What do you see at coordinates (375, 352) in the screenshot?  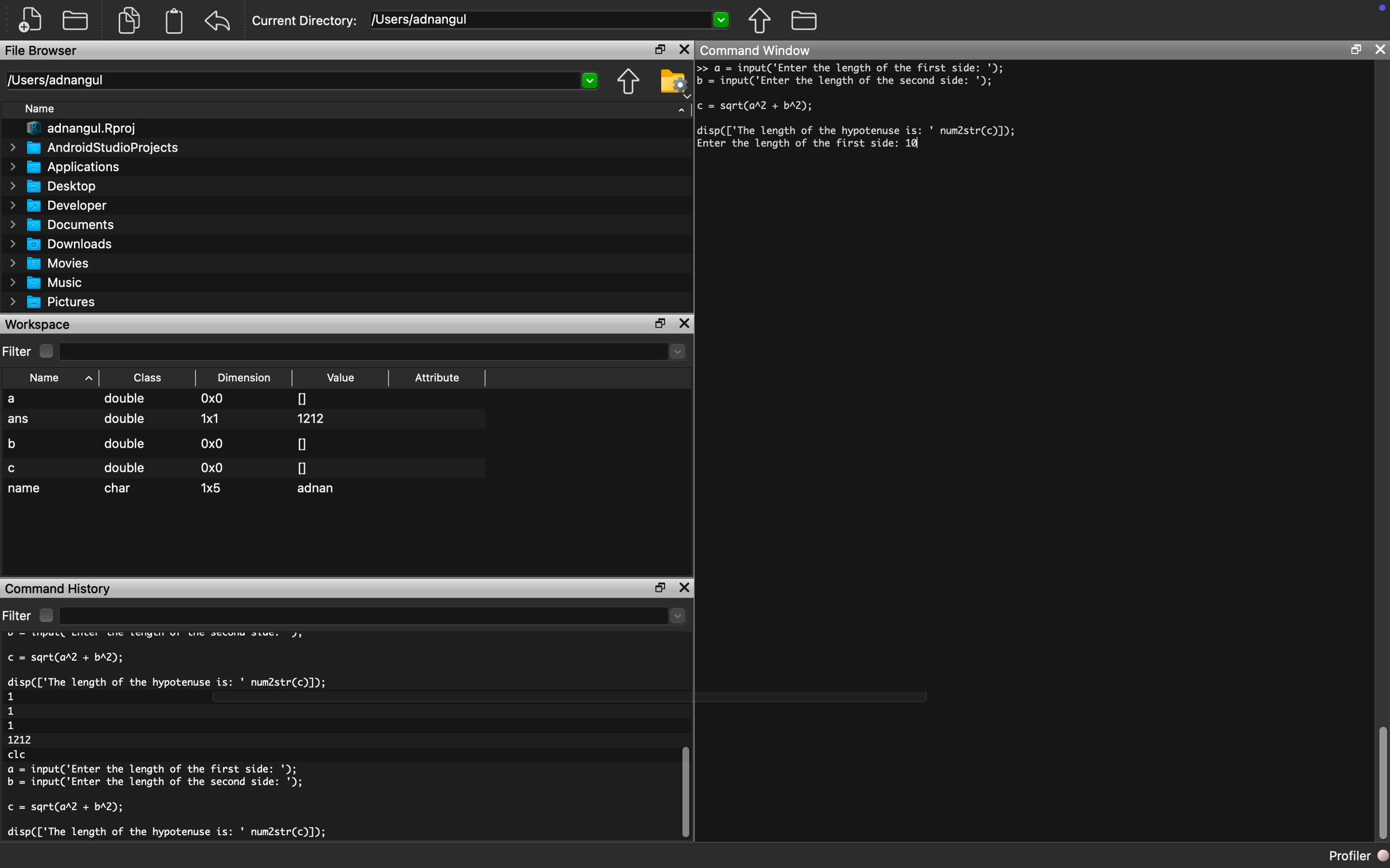 I see `dropdown` at bounding box center [375, 352].